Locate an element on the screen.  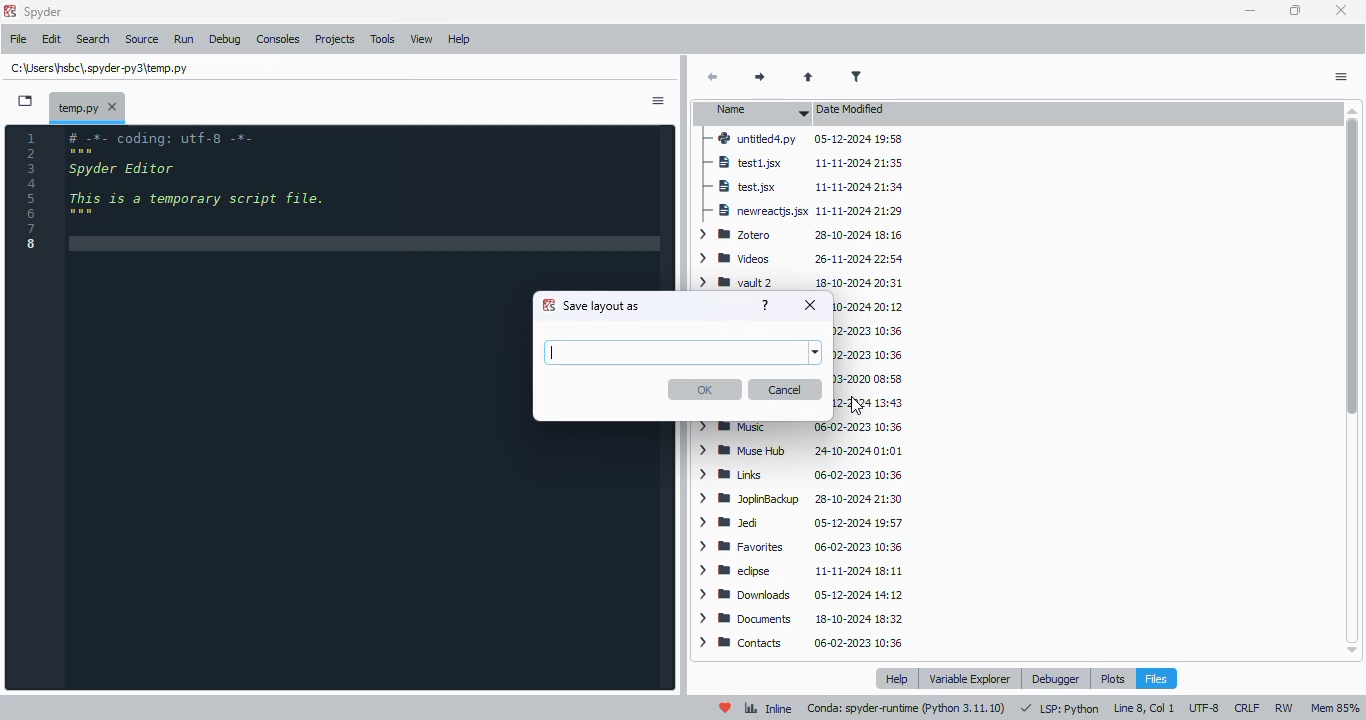
Music is located at coordinates (801, 426).